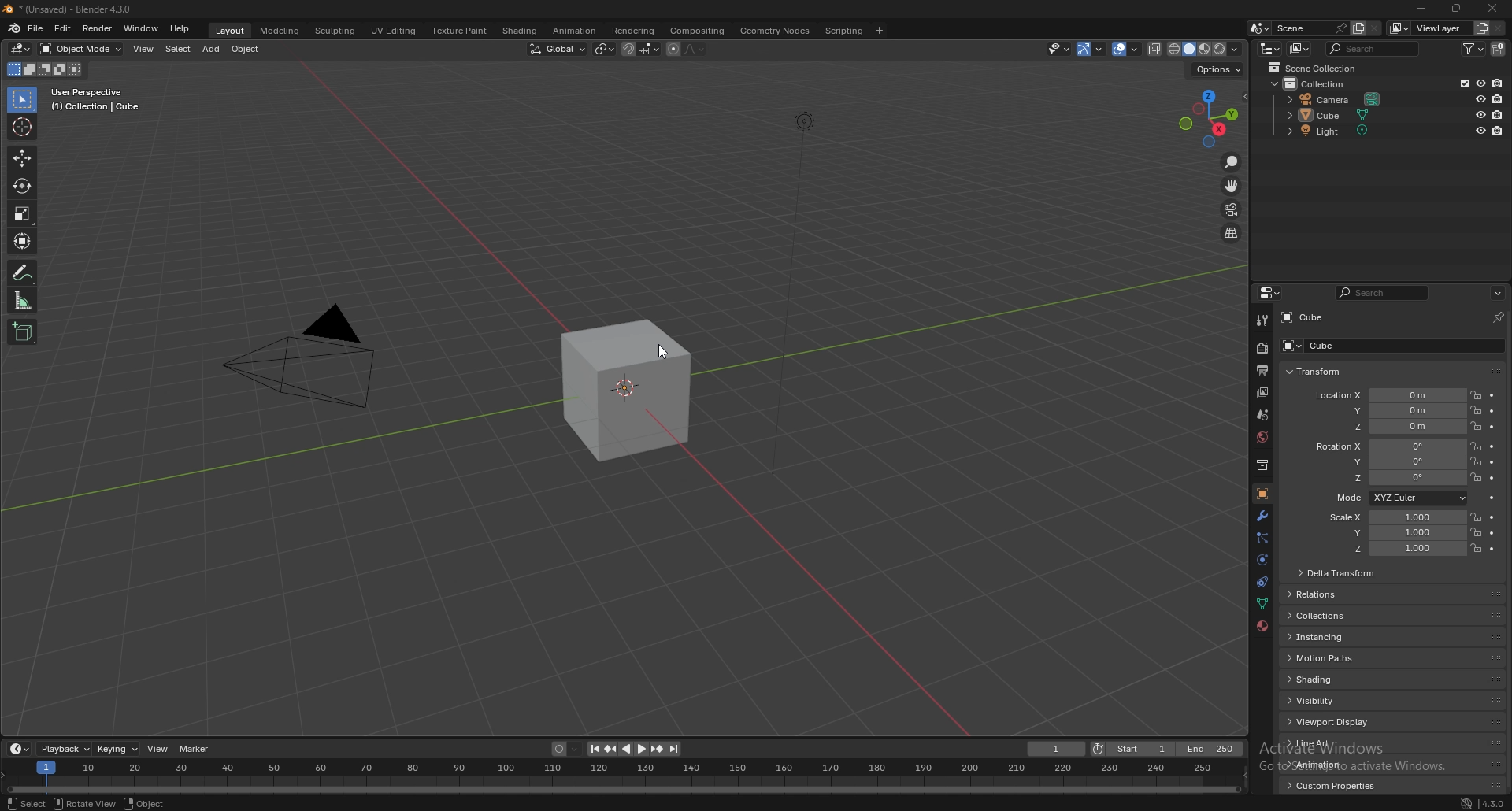 The width and height of the screenshot is (1512, 811). I want to click on auto keying, so click(565, 748).